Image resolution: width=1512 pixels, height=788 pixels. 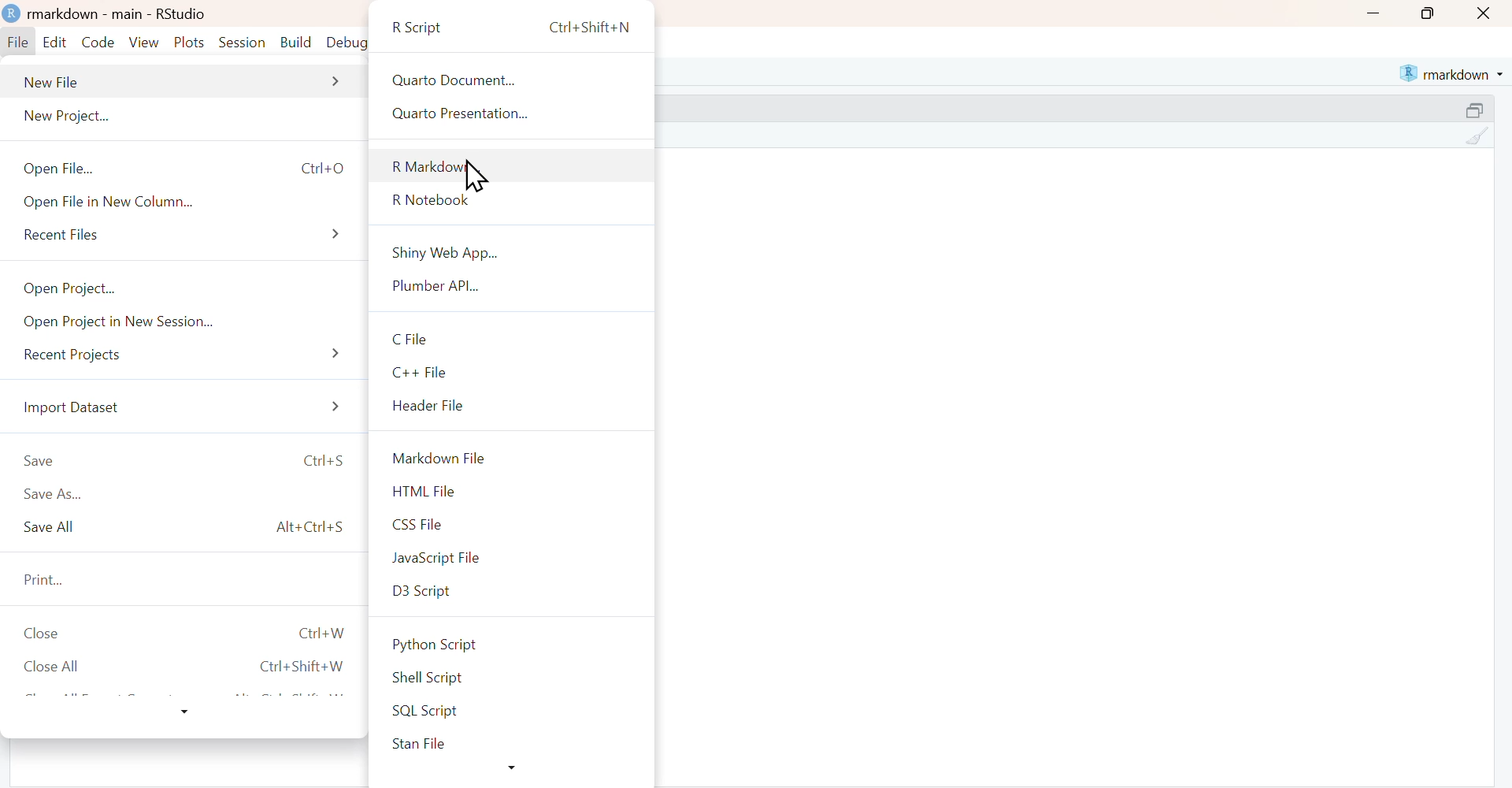 What do you see at coordinates (507, 249) in the screenshot?
I see `Shiny Web App...` at bounding box center [507, 249].